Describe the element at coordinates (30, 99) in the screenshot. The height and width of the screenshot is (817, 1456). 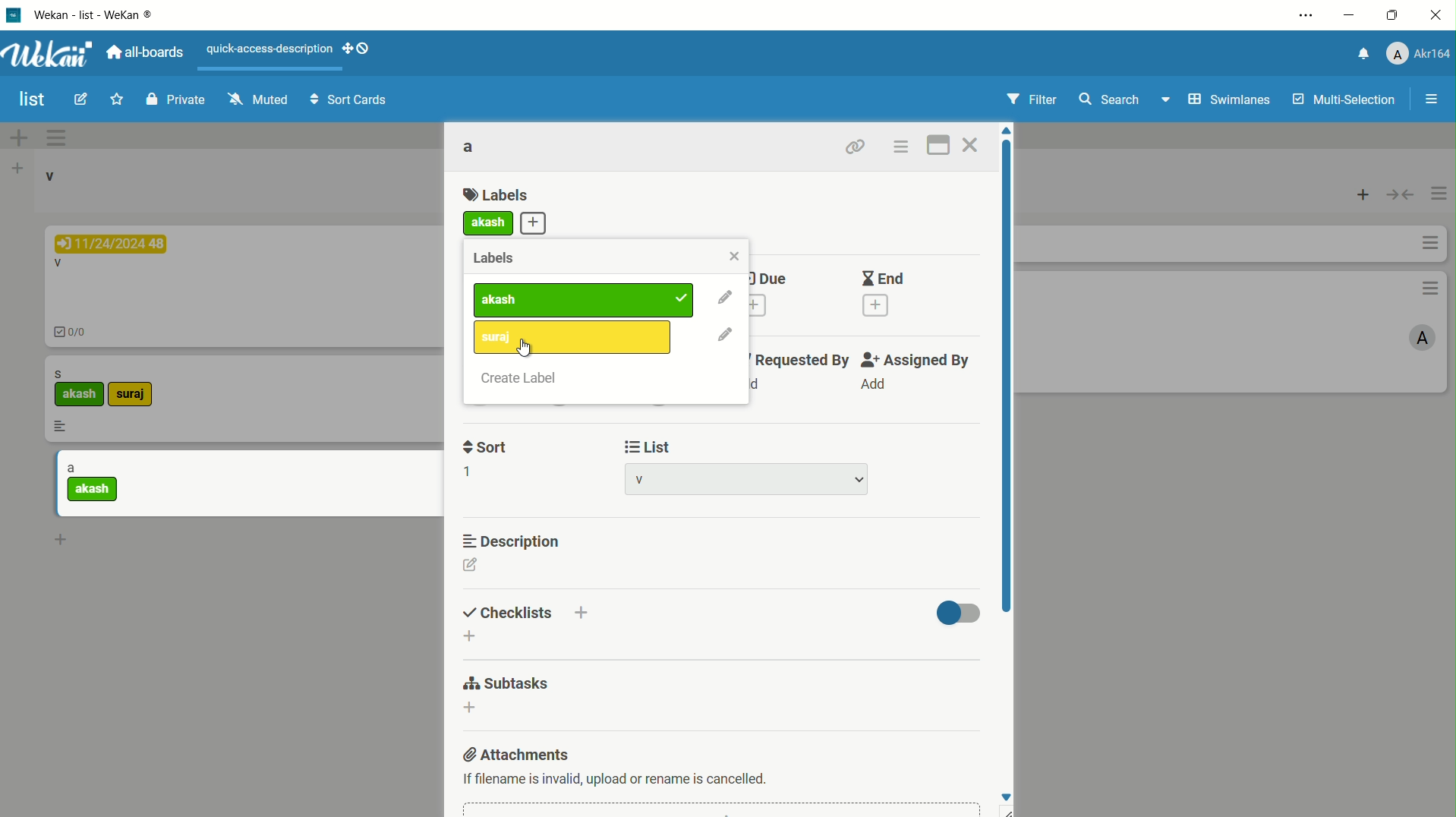
I see `board name` at that location.